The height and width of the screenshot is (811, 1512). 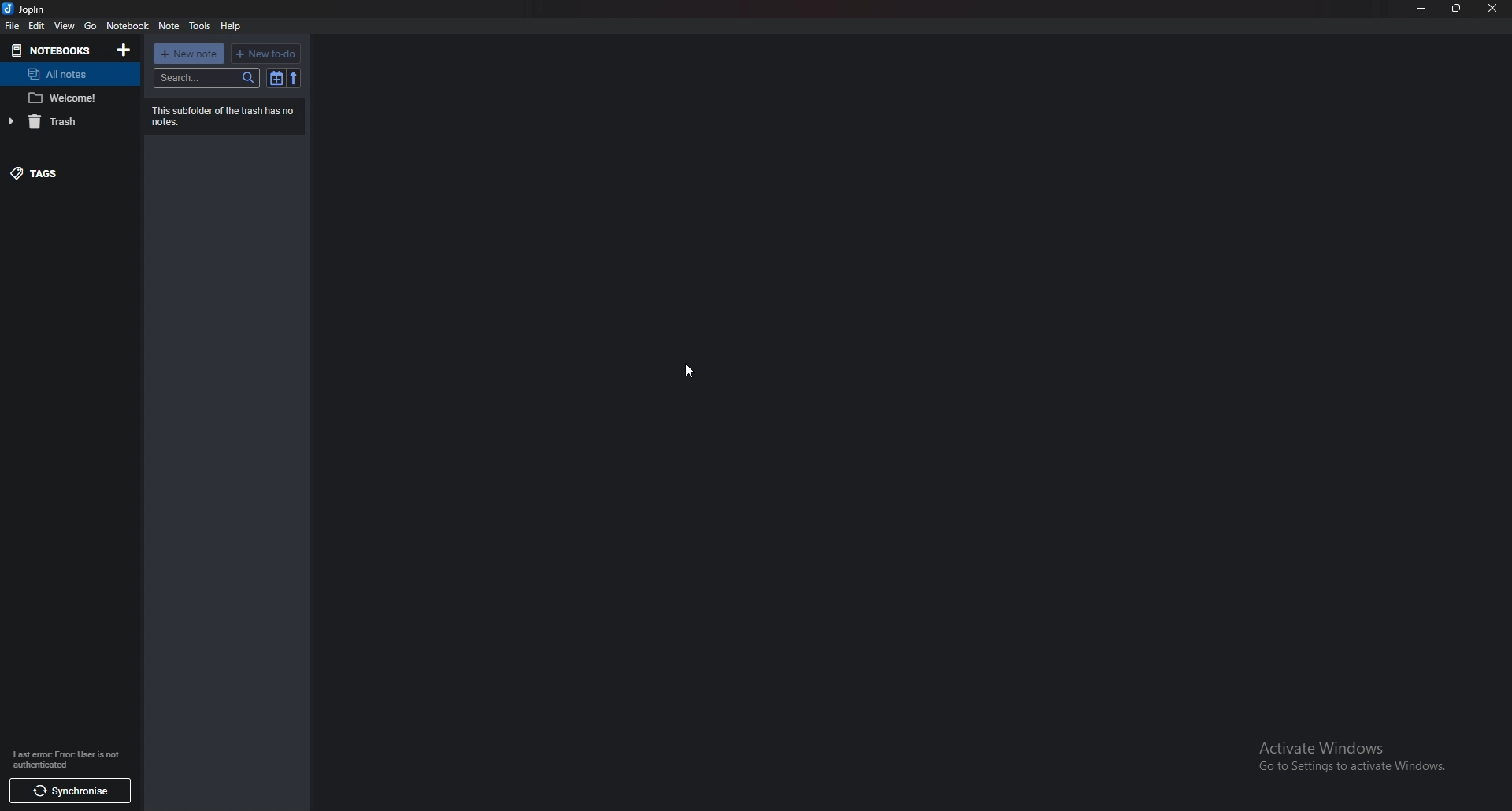 I want to click on cursor, so click(x=687, y=371).